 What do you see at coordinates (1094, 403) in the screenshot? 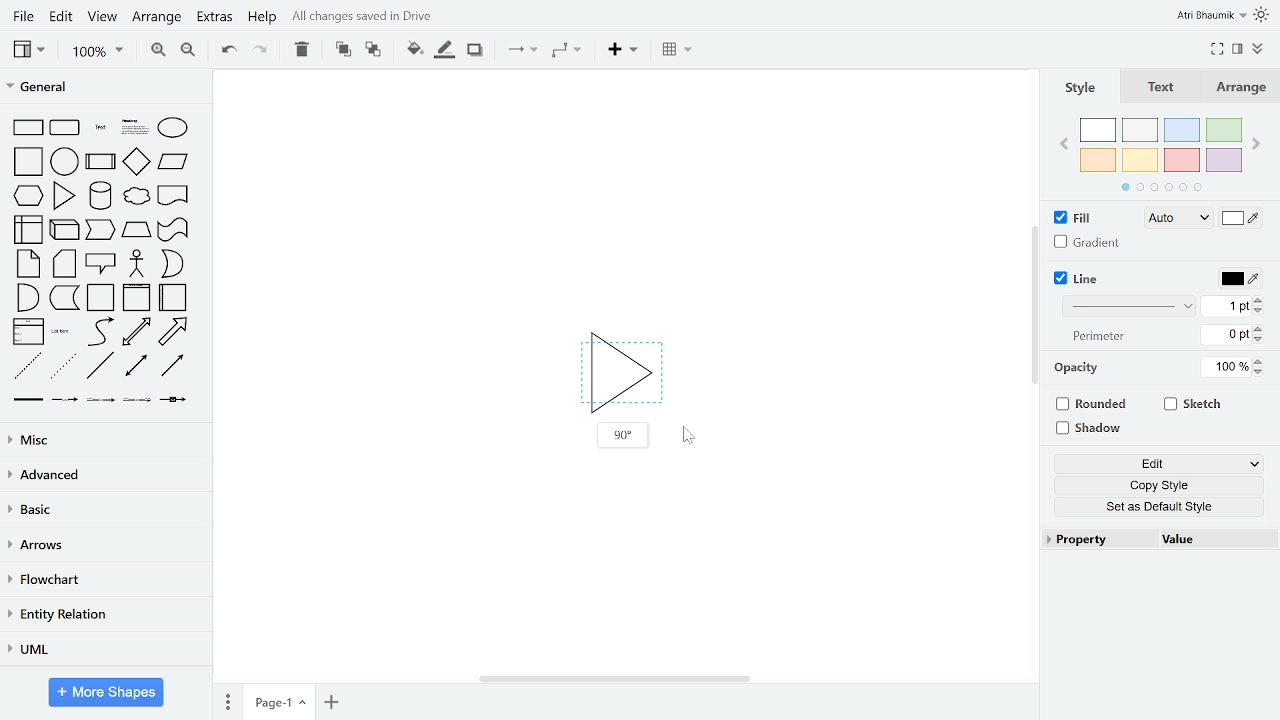
I see `rounded` at bounding box center [1094, 403].